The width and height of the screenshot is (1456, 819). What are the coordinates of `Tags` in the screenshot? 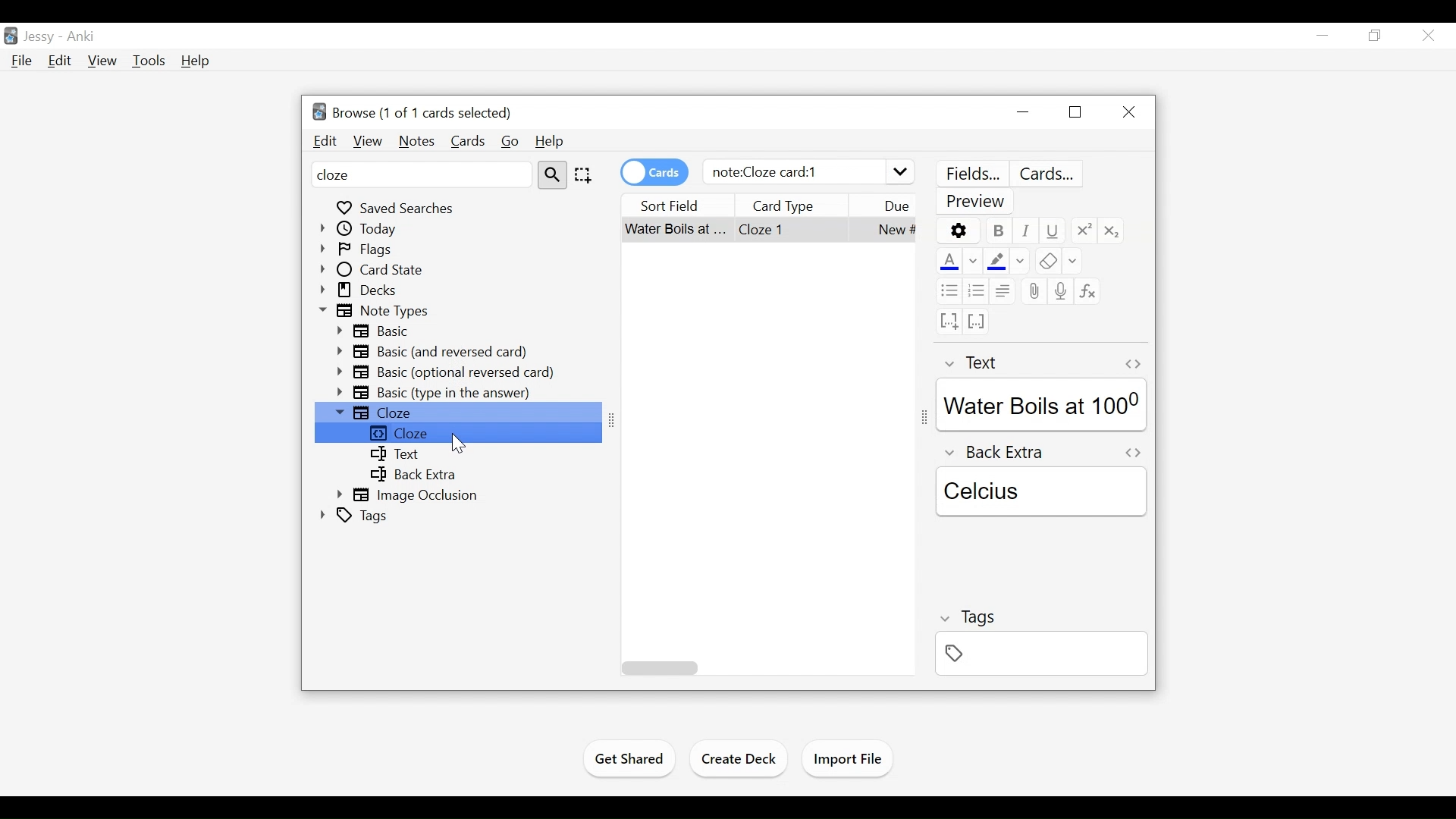 It's located at (970, 617).